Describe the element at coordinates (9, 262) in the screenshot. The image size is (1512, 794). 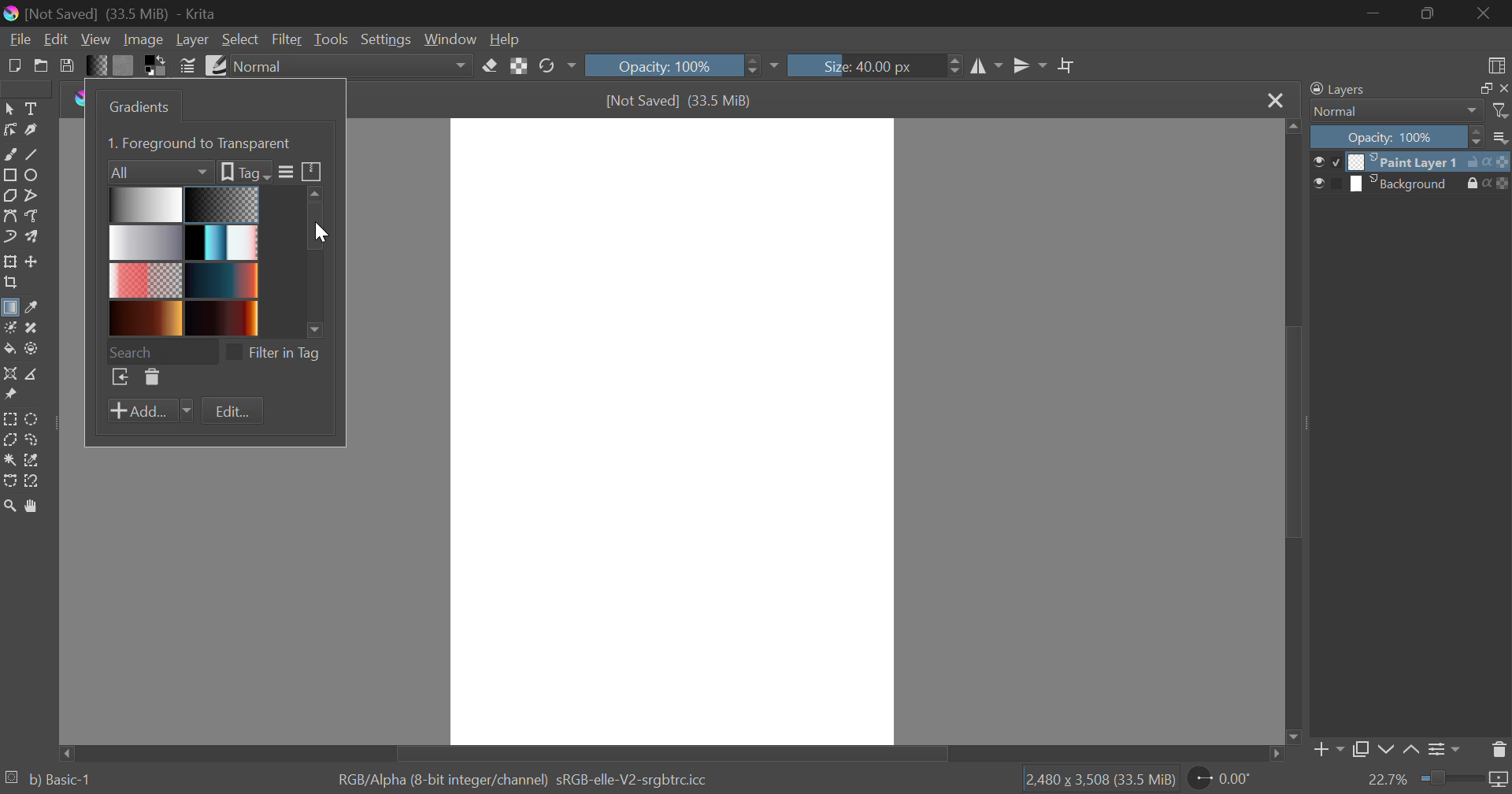
I see `Transform Layer` at that location.